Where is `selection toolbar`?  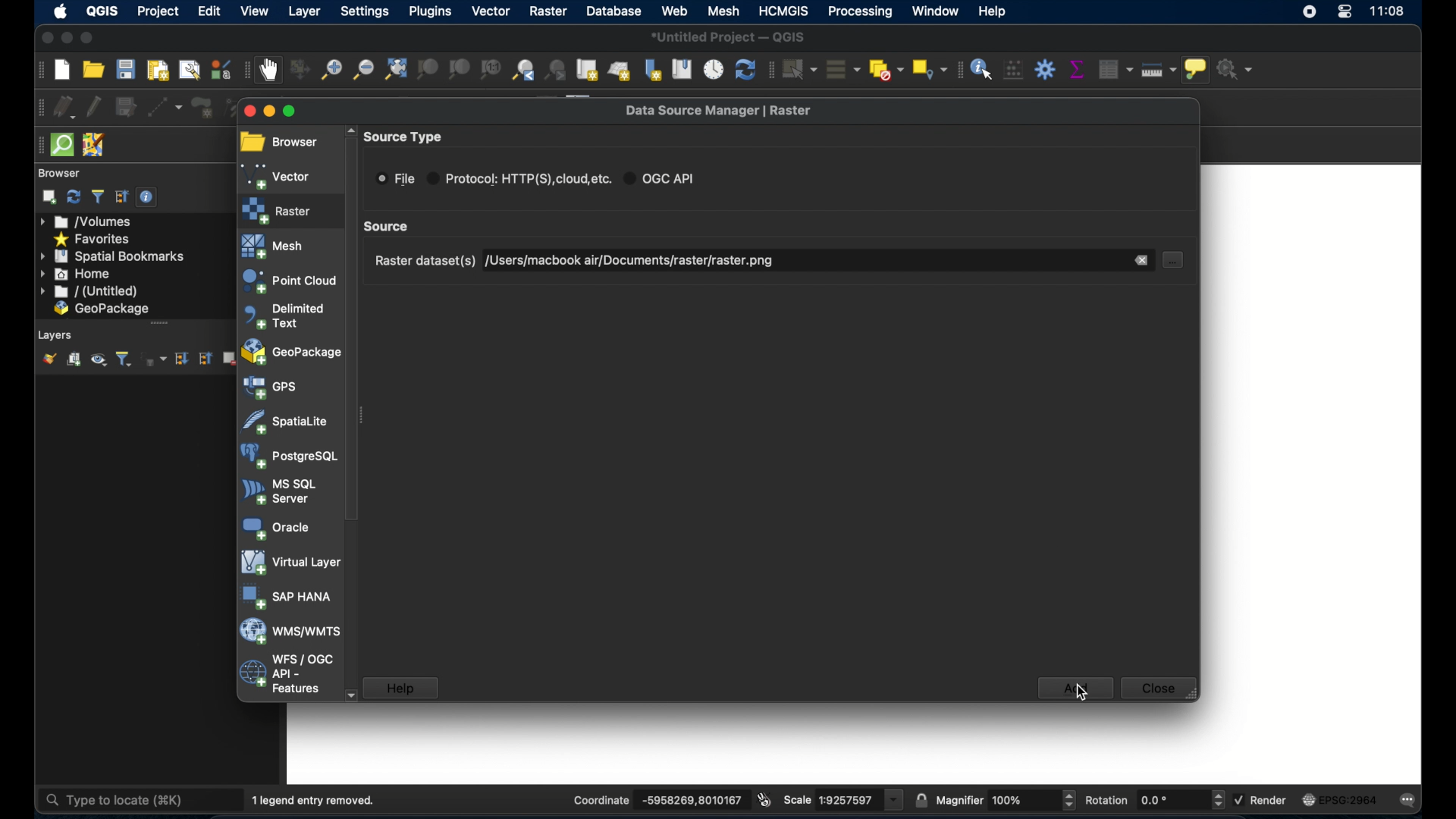 selection toolbar is located at coordinates (770, 69).